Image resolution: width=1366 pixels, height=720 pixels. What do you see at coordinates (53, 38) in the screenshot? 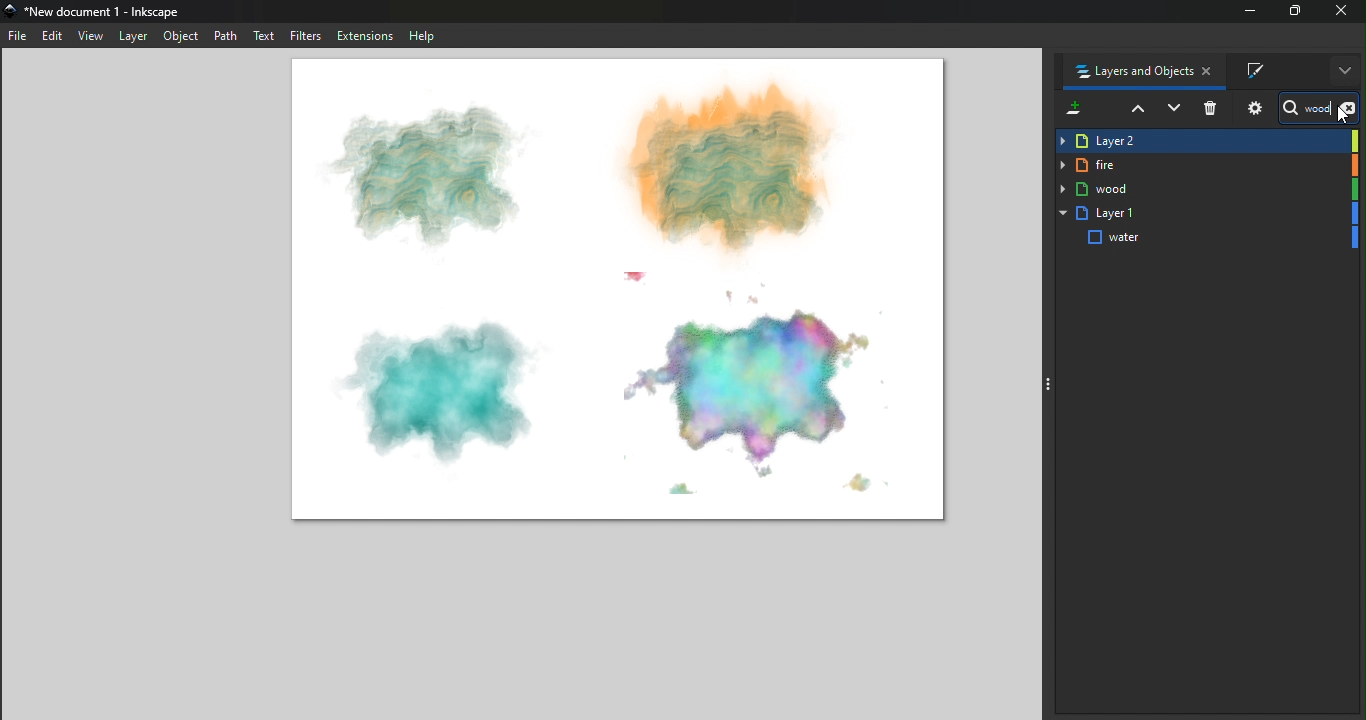
I see `Edit` at bounding box center [53, 38].